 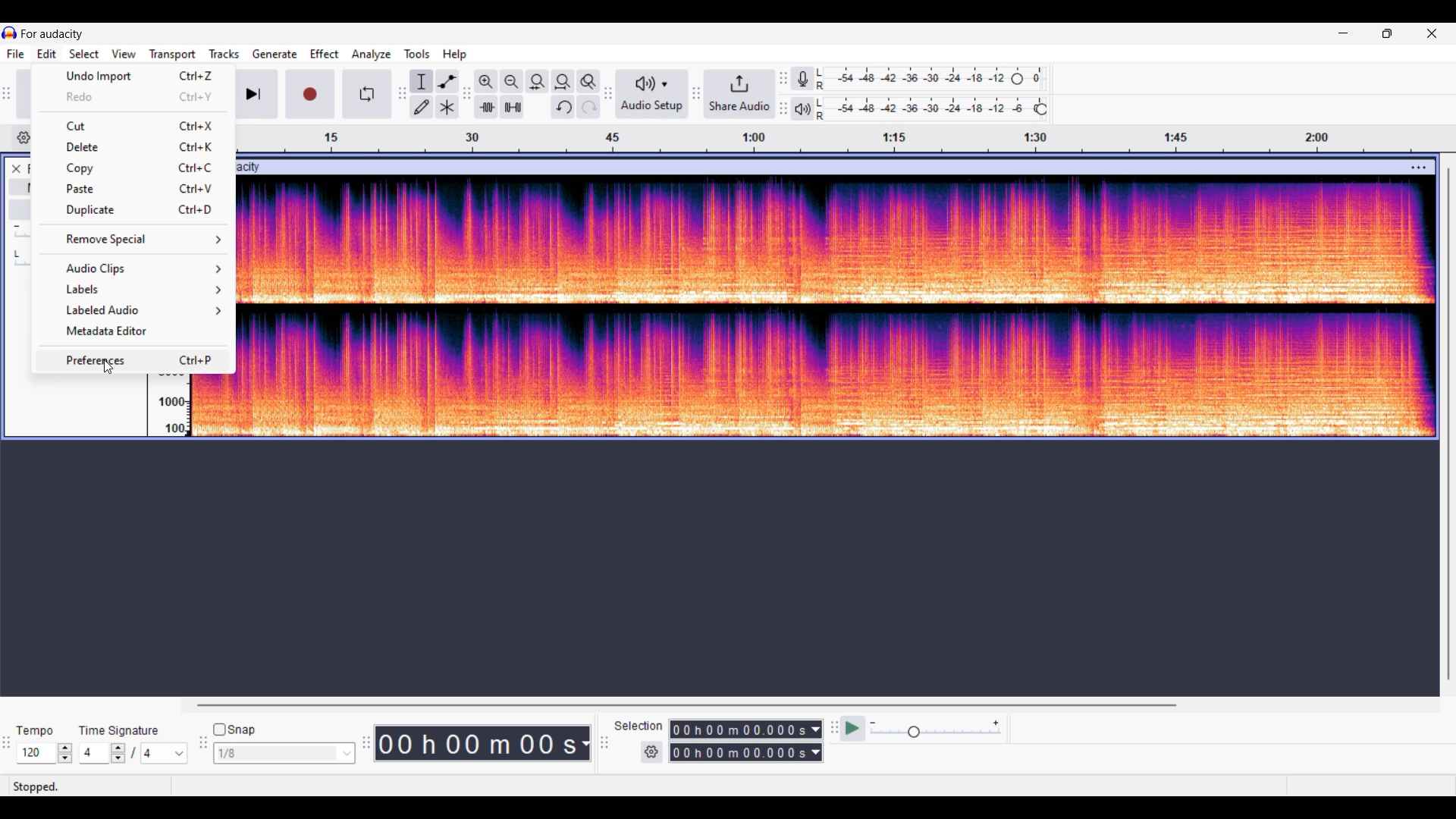 What do you see at coordinates (588, 107) in the screenshot?
I see `Redo` at bounding box center [588, 107].